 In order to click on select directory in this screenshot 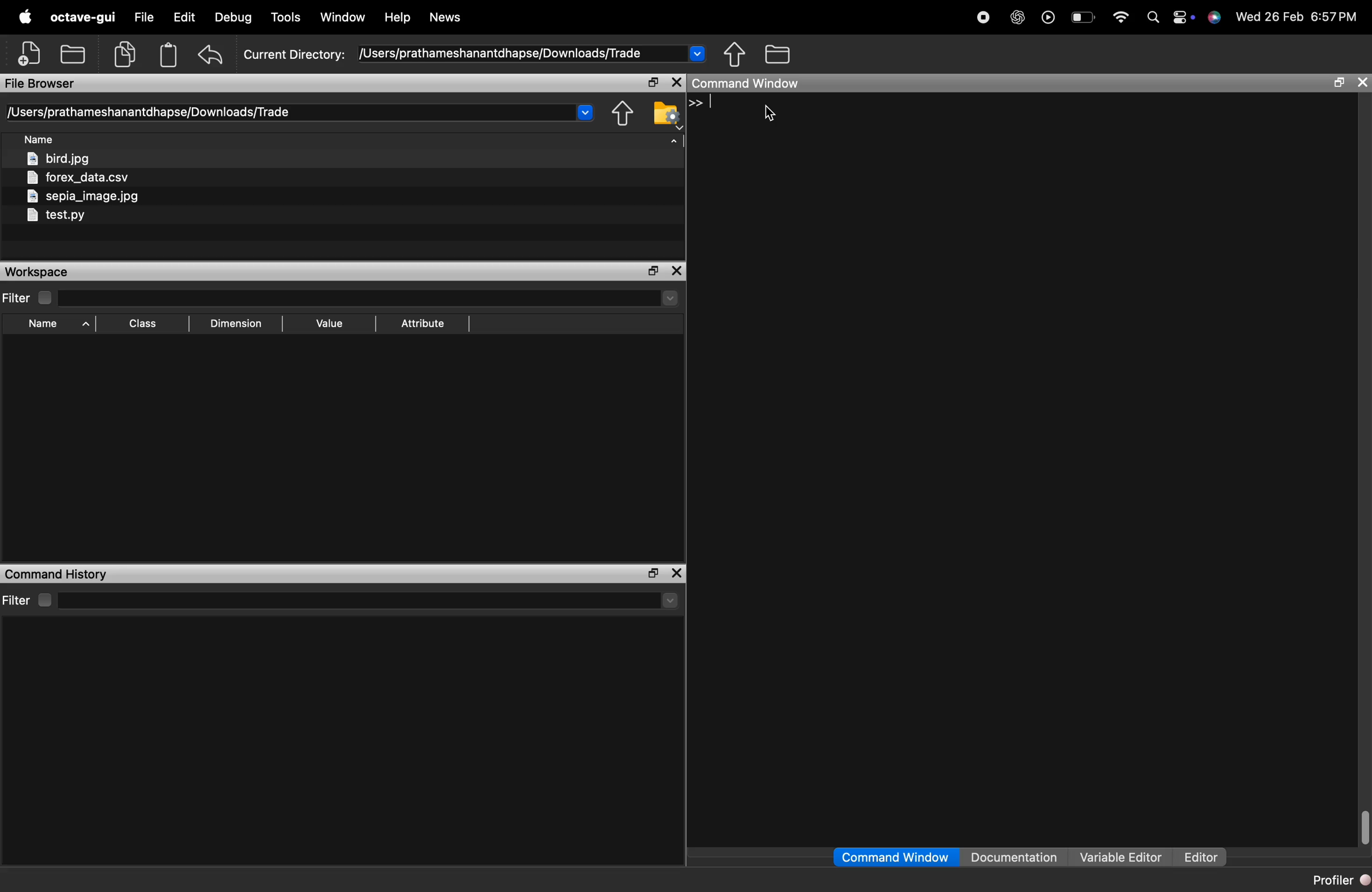, I will do `click(371, 298)`.